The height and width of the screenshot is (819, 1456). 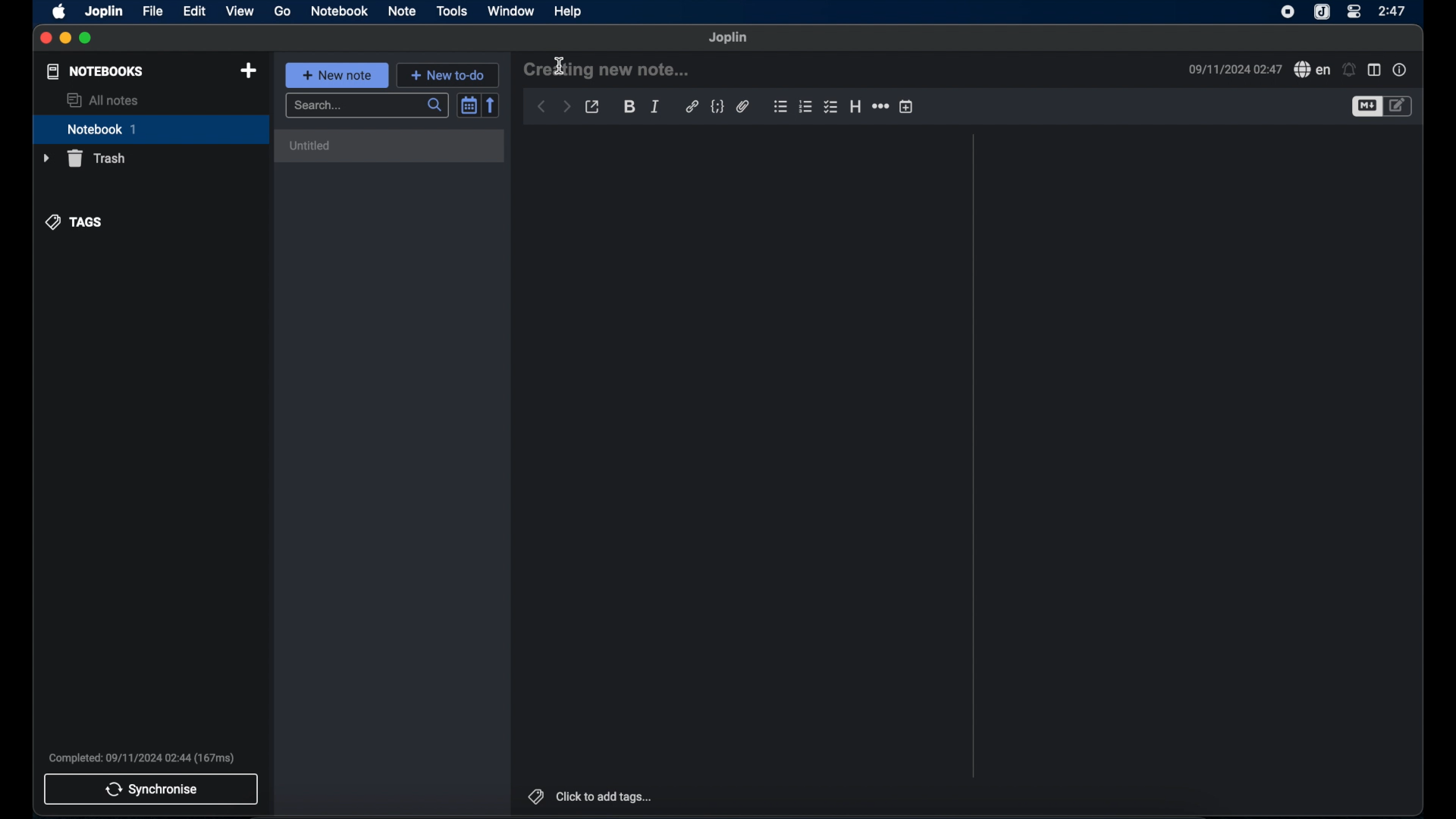 What do you see at coordinates (283, 12) in the screenshot?
I see `go` at bounding box center [283, 12].